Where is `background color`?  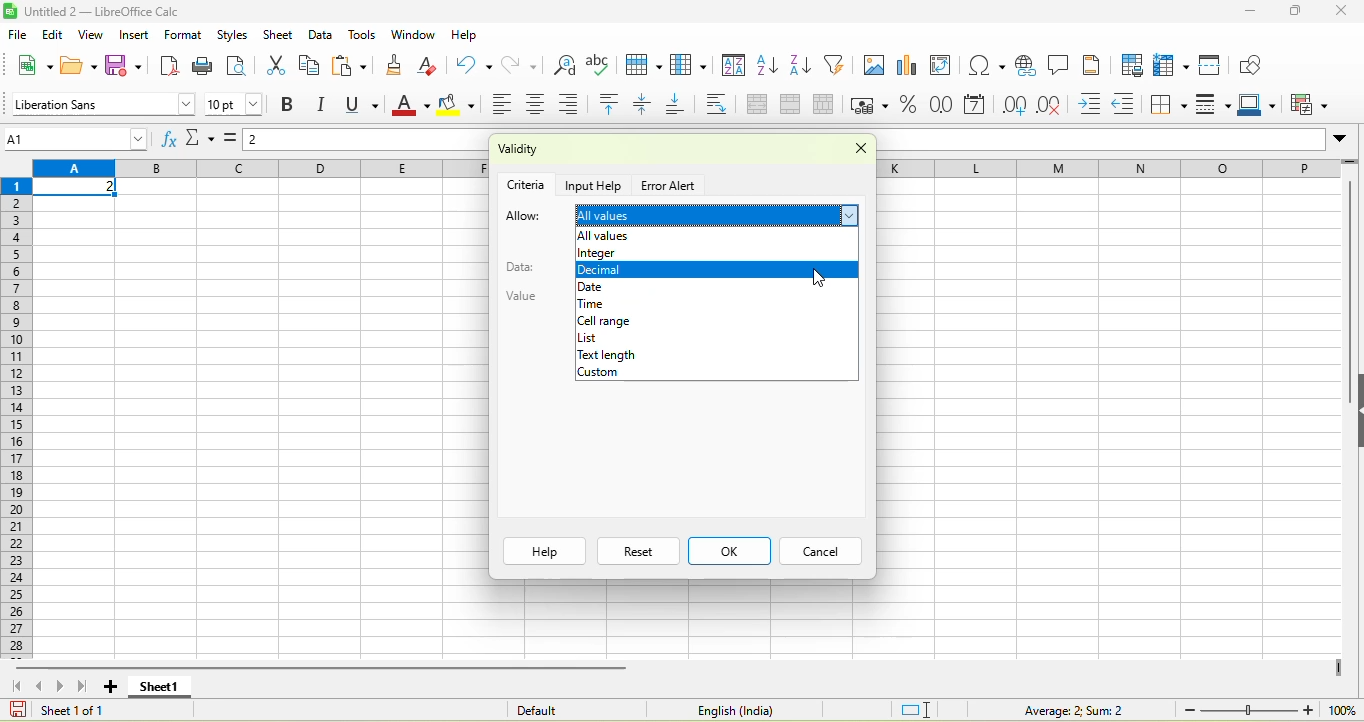 background color is located at coordinates (457, 106).